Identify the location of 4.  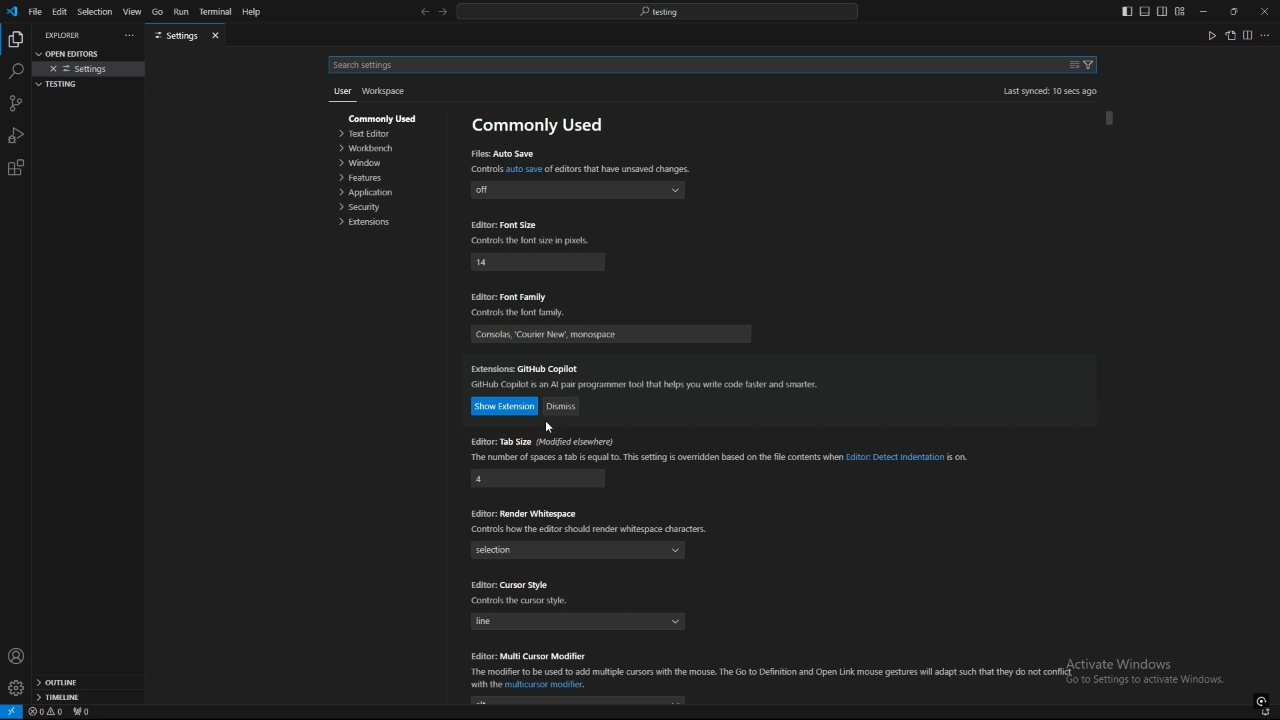
(537, 479).